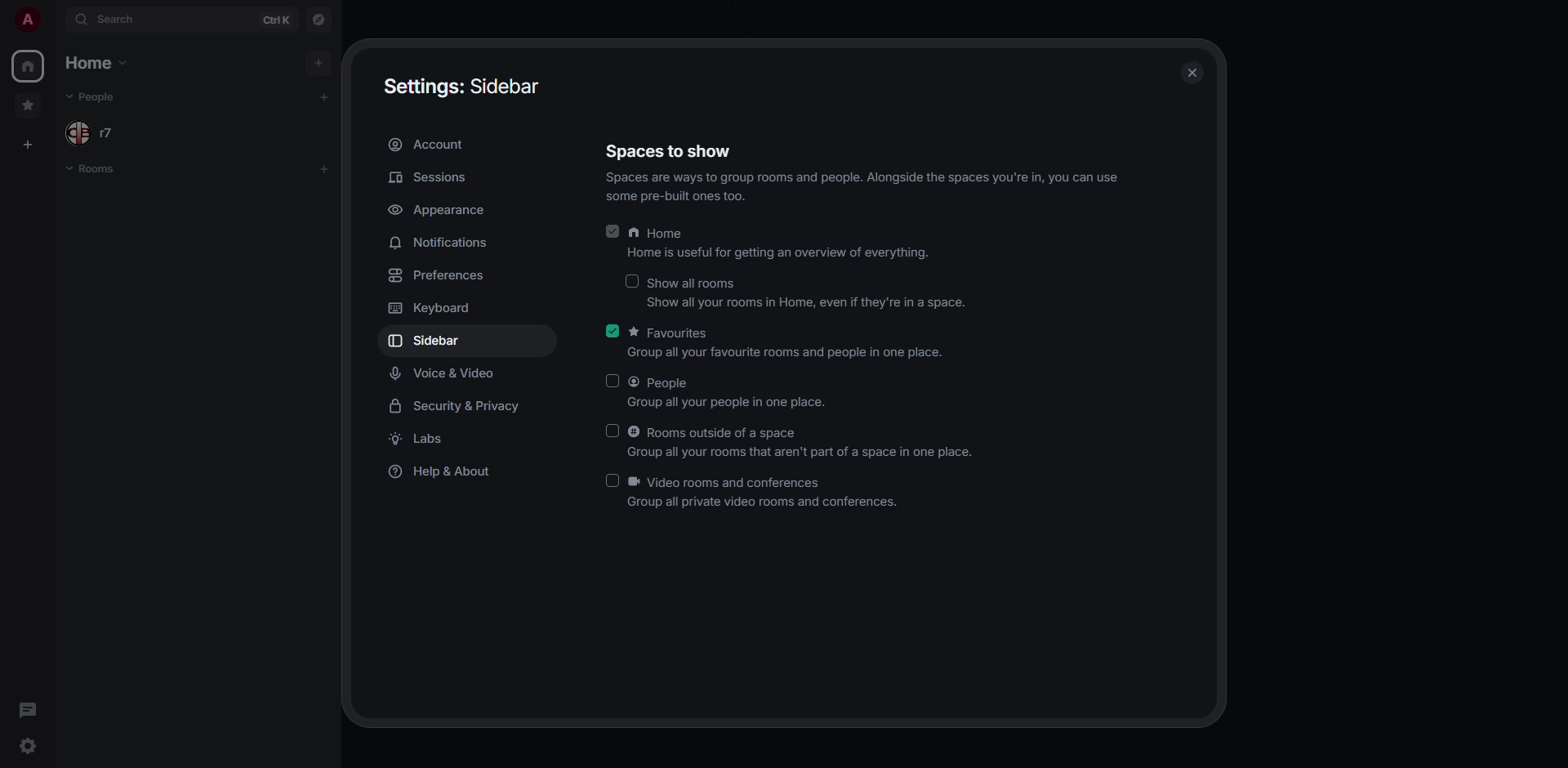  Describe the element at coordinates (462, 86) in the screenshot. I see `Settings: Sidebar` at that location.